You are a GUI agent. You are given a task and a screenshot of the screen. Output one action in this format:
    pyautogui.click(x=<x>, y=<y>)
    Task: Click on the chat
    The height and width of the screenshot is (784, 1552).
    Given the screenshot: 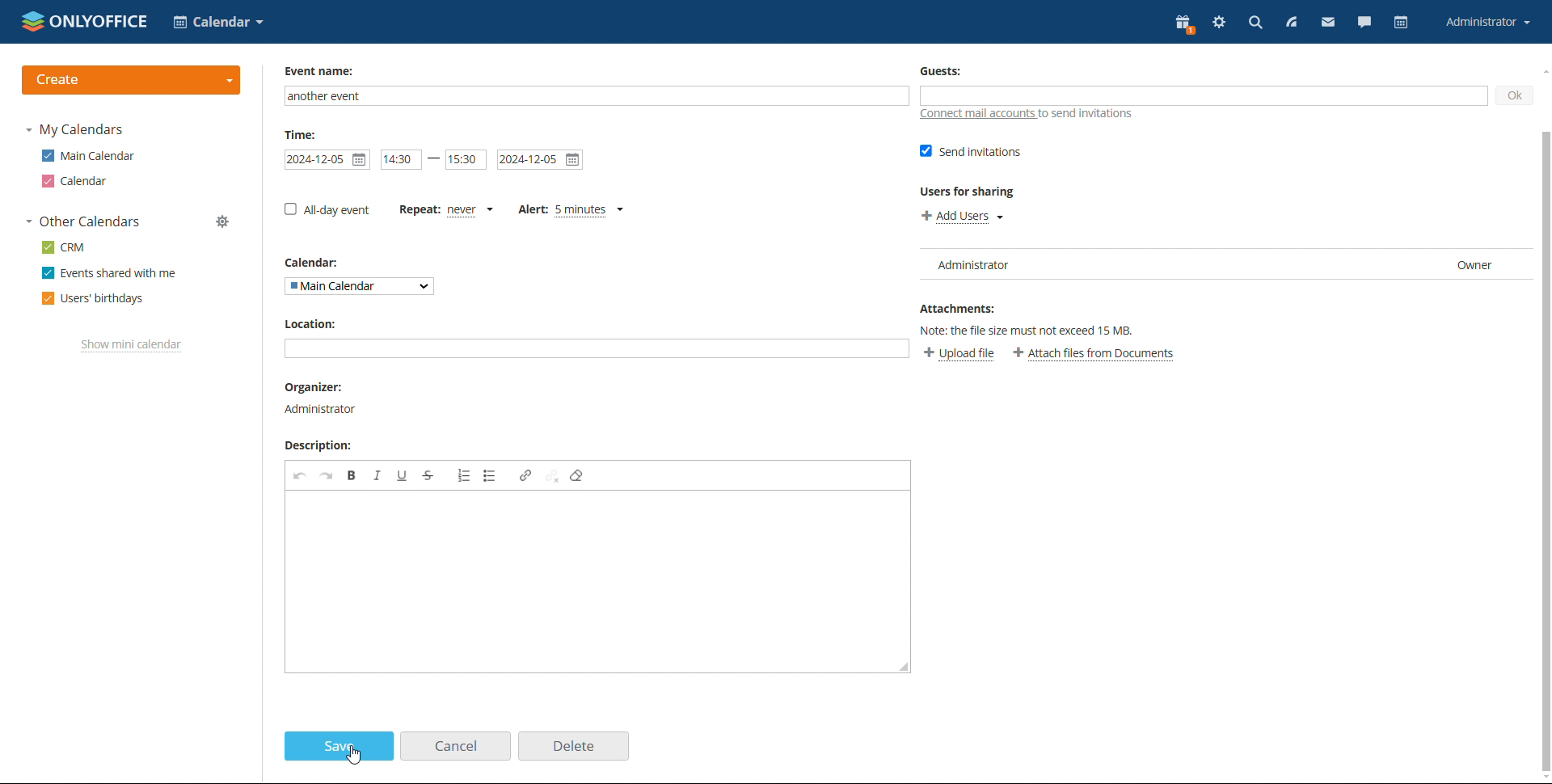 What is the action you would take?
    pyautogui.click(x=1364, y=24)
    